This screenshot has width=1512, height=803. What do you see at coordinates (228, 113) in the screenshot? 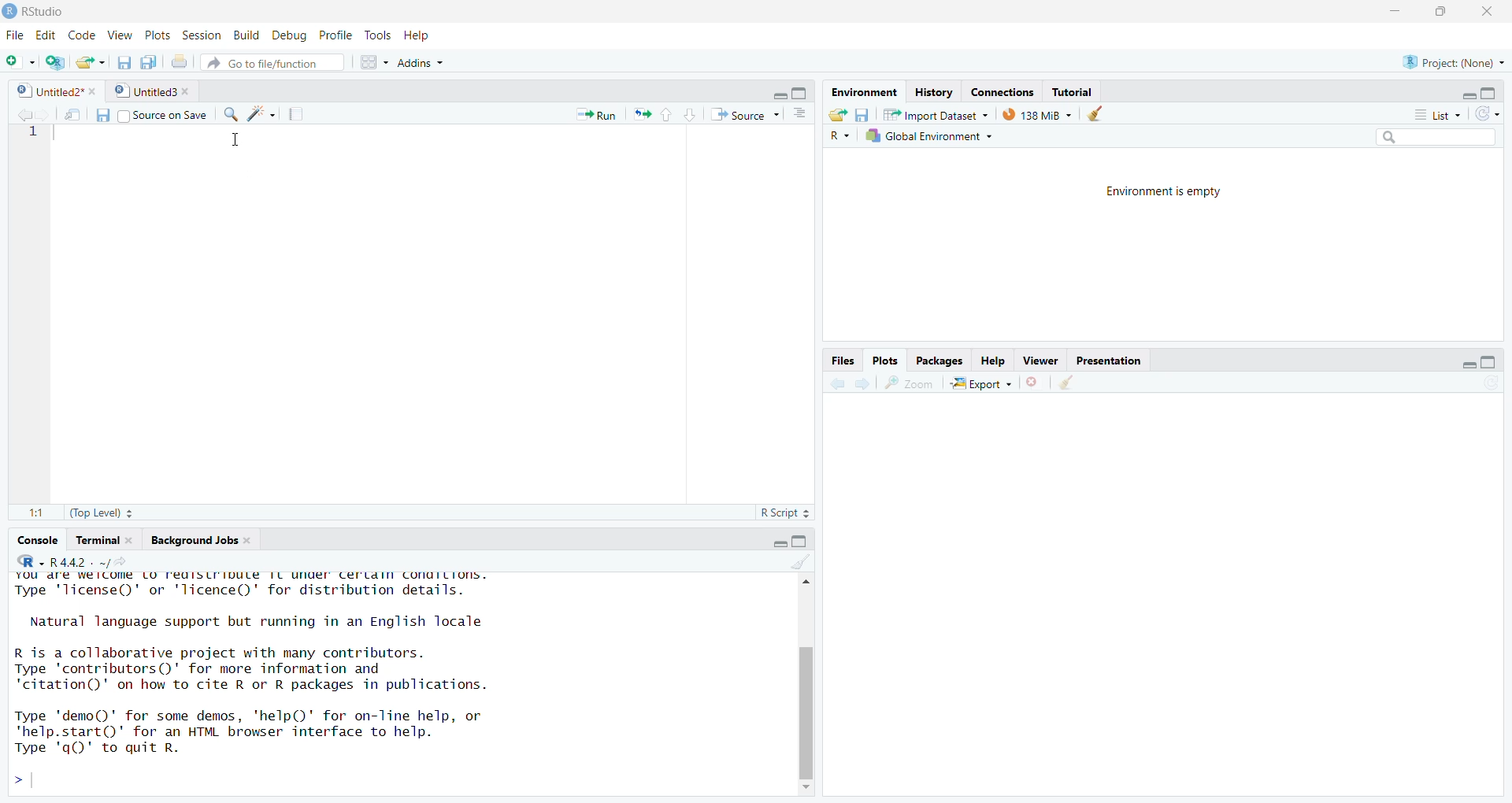
I see `Find replace` at bounding box center [228, 113].